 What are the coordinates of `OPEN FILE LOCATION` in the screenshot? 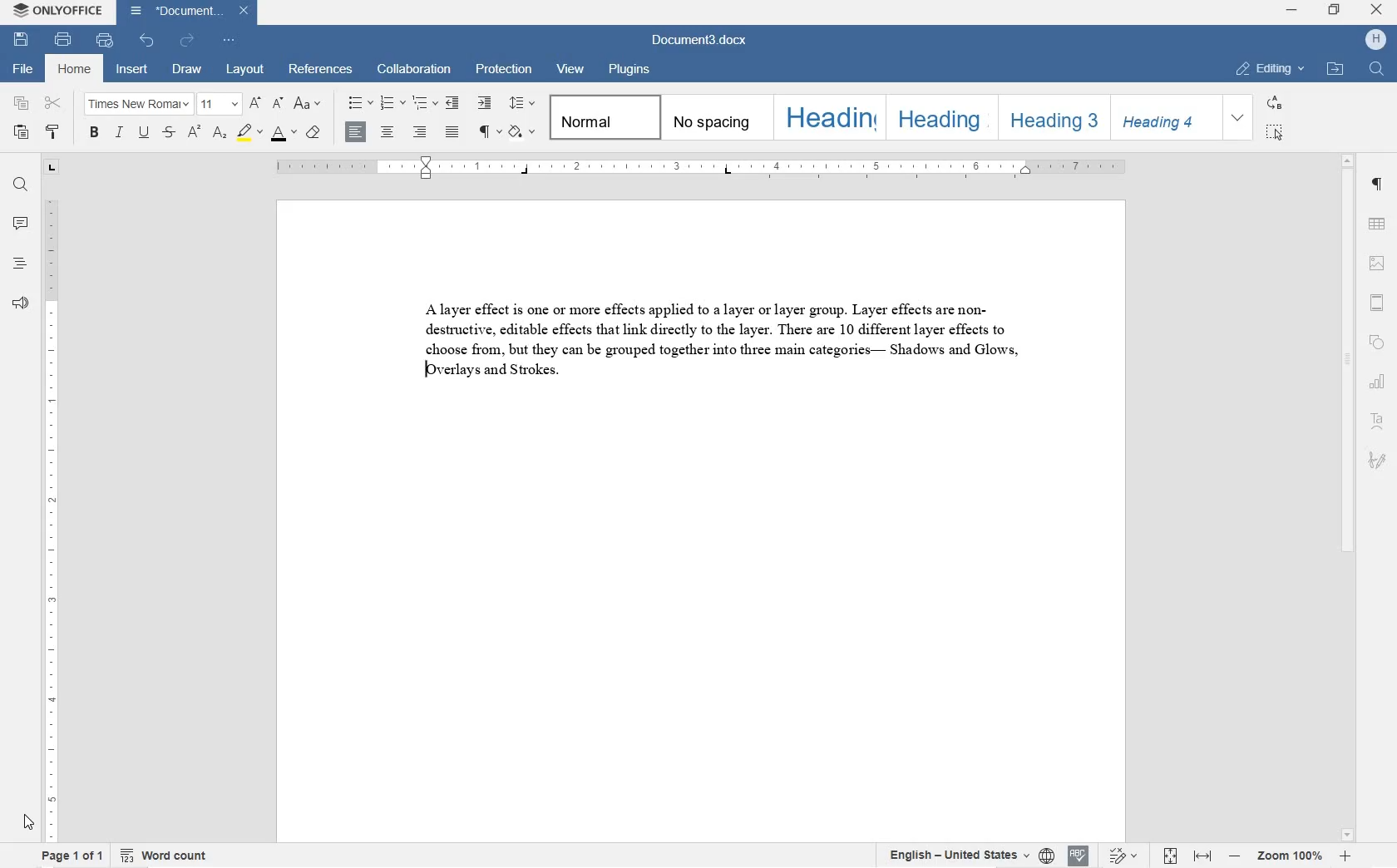 It's located at (1334, 68).